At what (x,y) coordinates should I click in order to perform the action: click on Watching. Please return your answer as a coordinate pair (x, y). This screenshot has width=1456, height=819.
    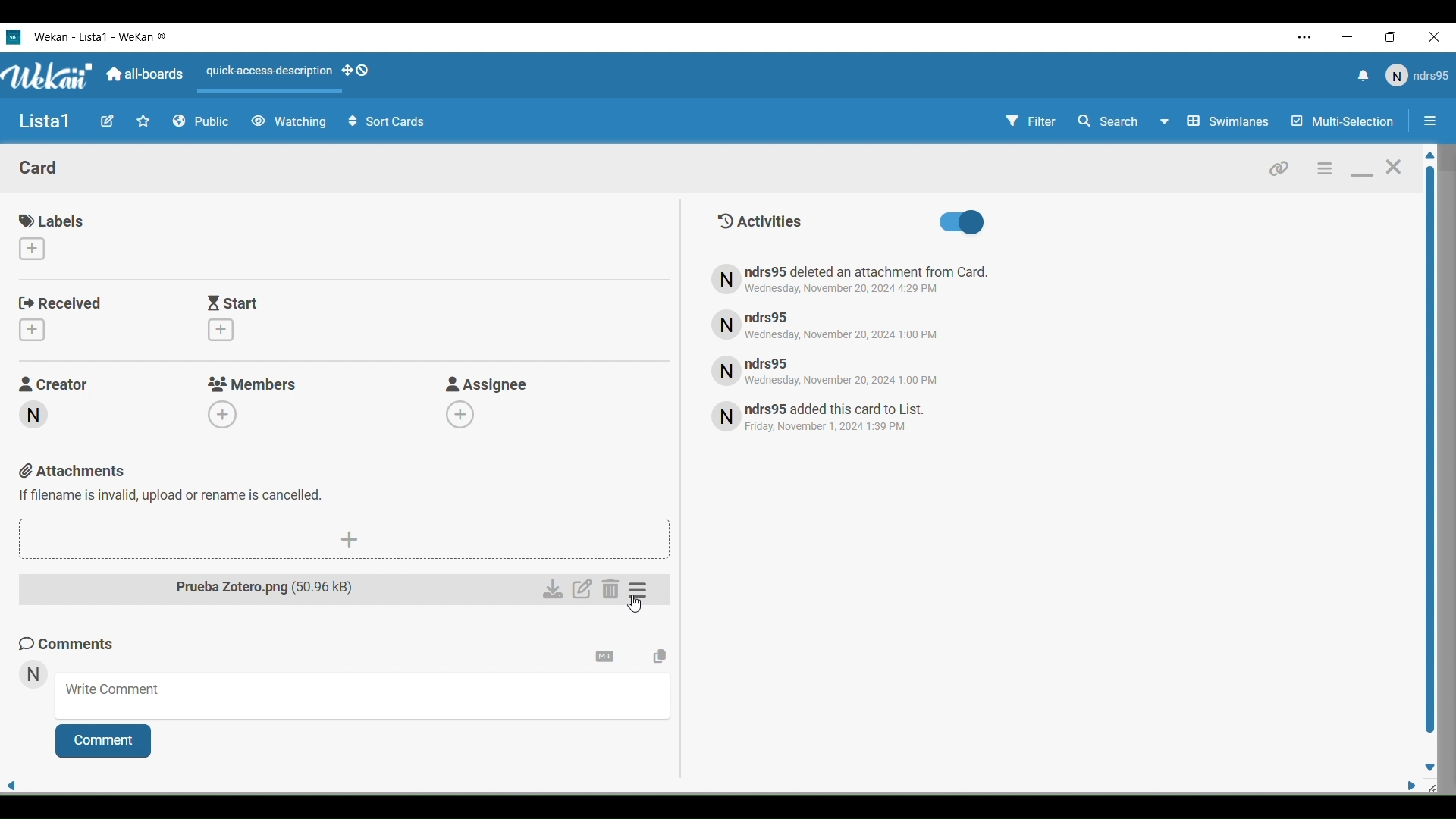
    Looking at the image, I should click on (288, 122).